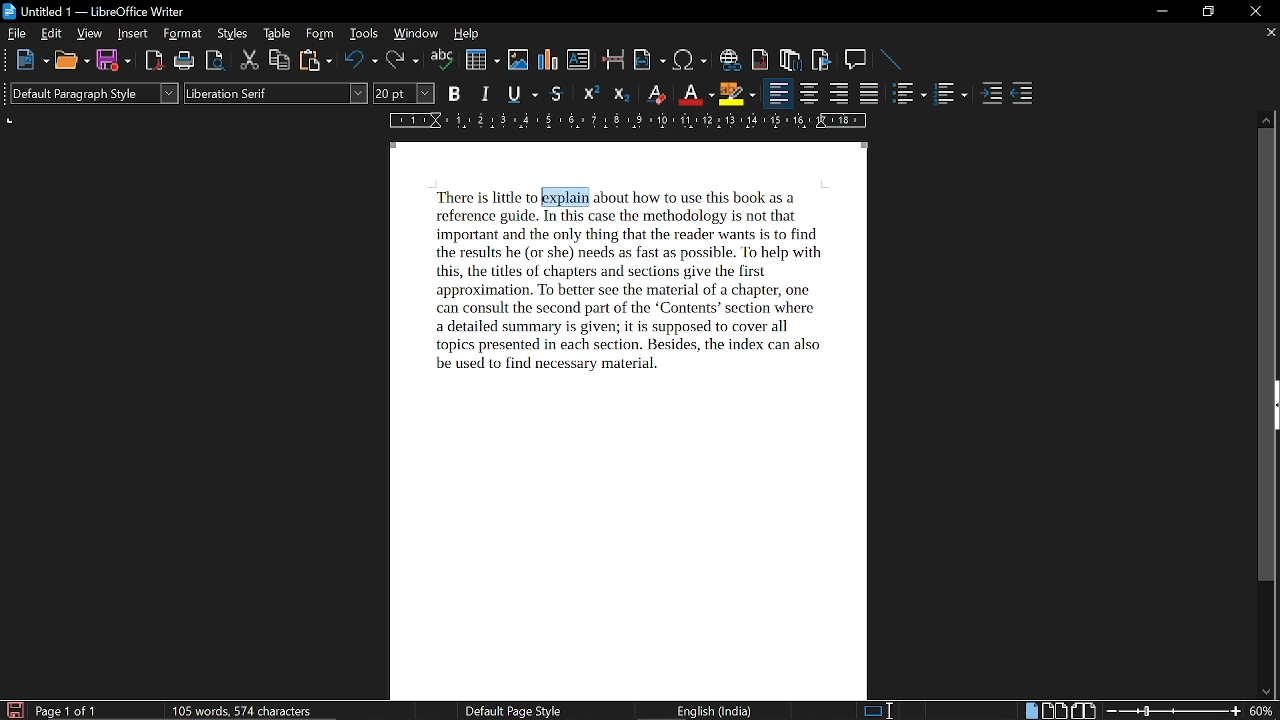  What do you see at coordinates (1210, 11) in the screenshot?
I see `restore down` at bounding box center [1210, 11].